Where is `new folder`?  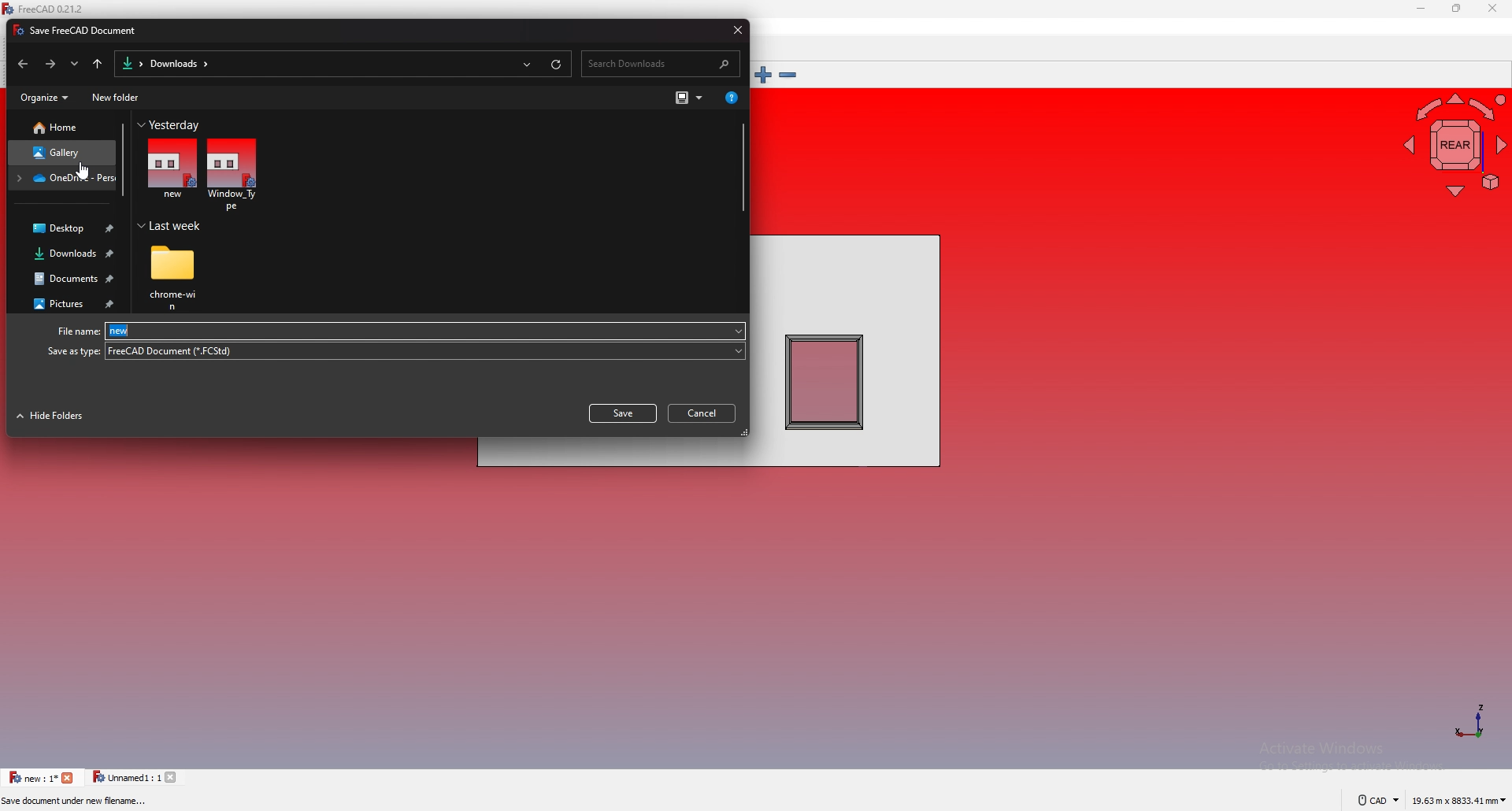 new folder is located at coordinates (116, 97).